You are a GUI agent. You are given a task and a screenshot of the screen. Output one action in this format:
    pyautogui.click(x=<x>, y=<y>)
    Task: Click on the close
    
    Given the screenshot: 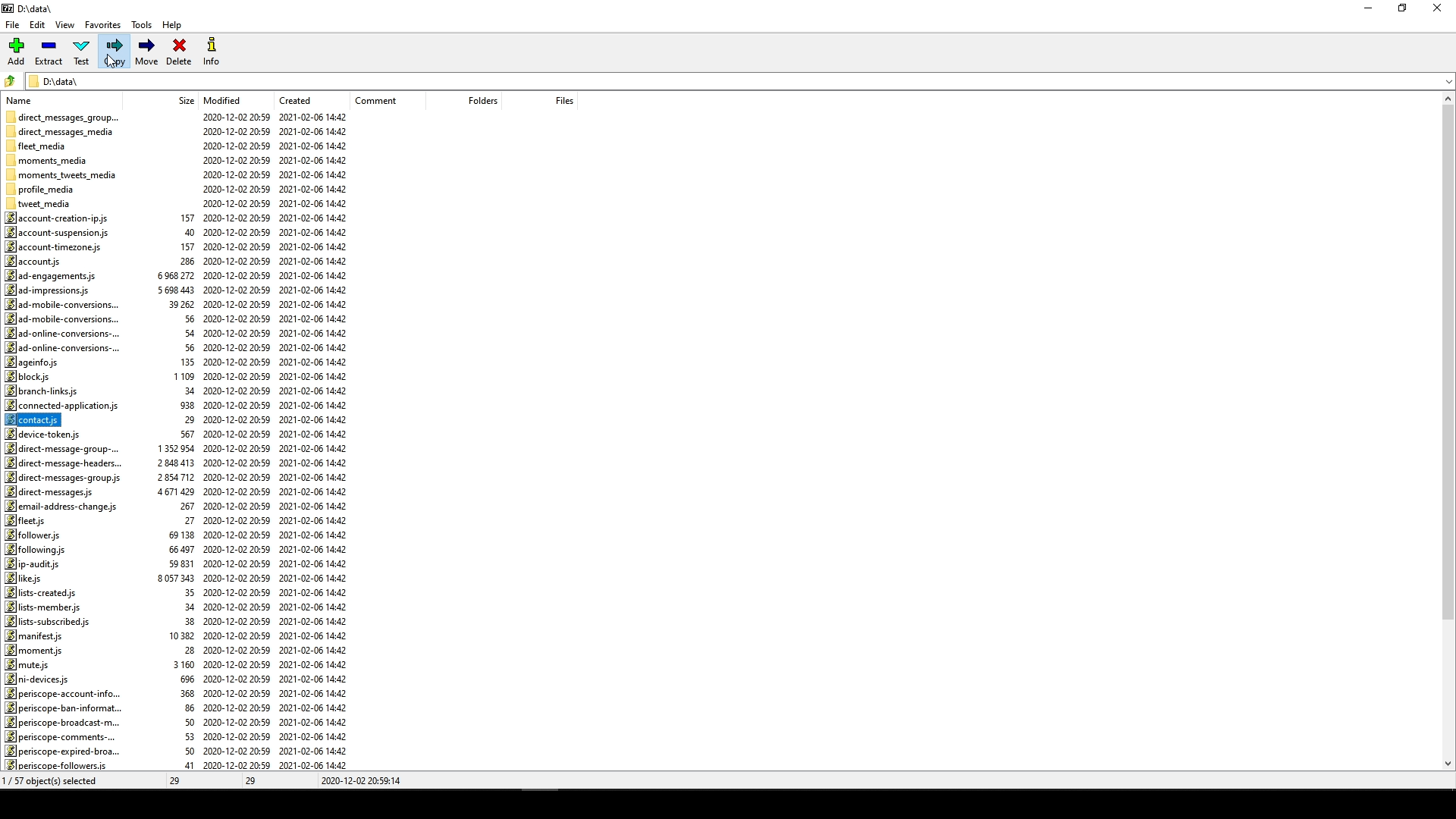 What is the action you would take?
    pyautogui.click(x=1440, y=9)
    